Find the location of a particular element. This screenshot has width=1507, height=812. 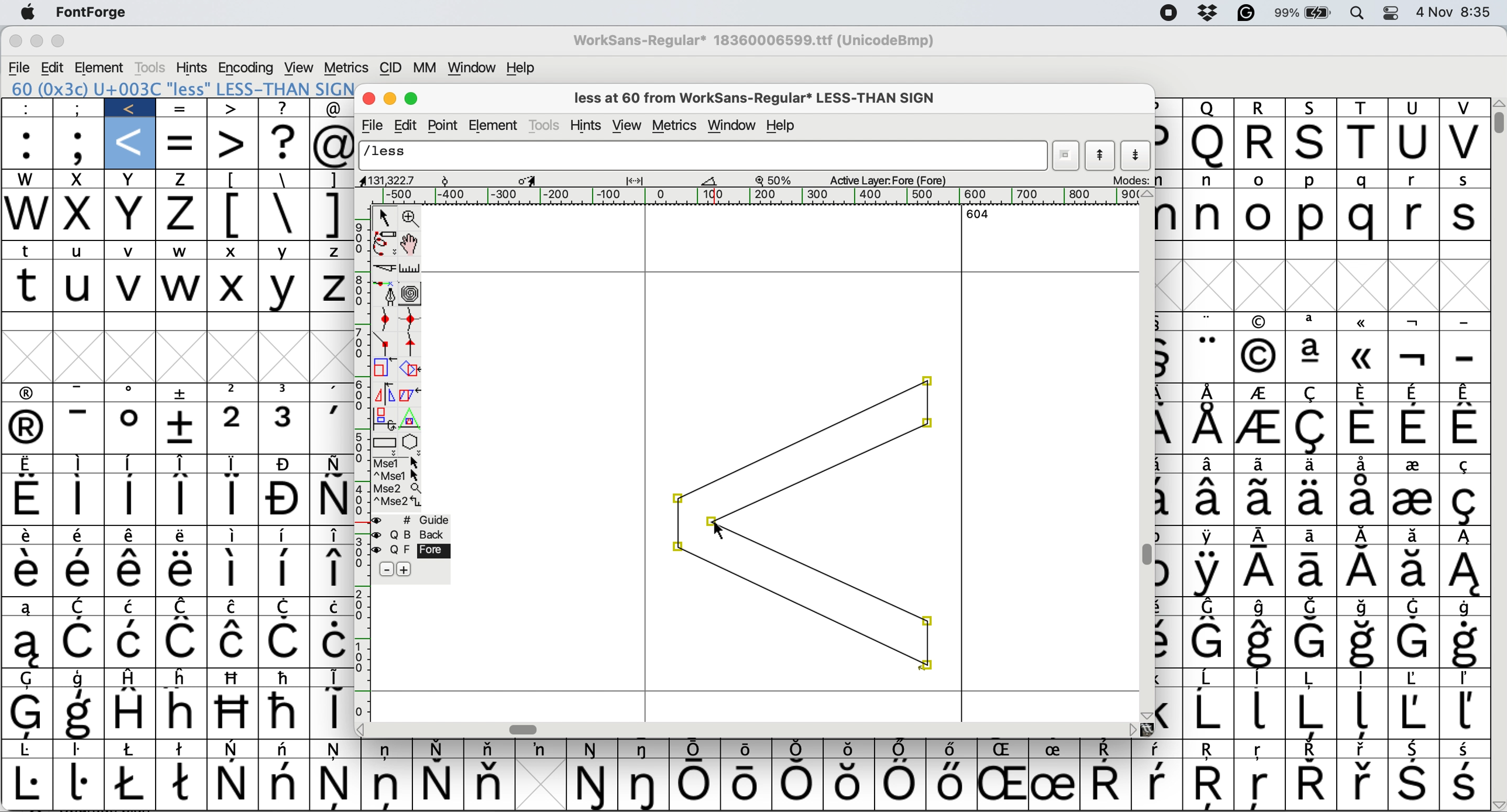

Symbol is located at coordinates (1363, 536).